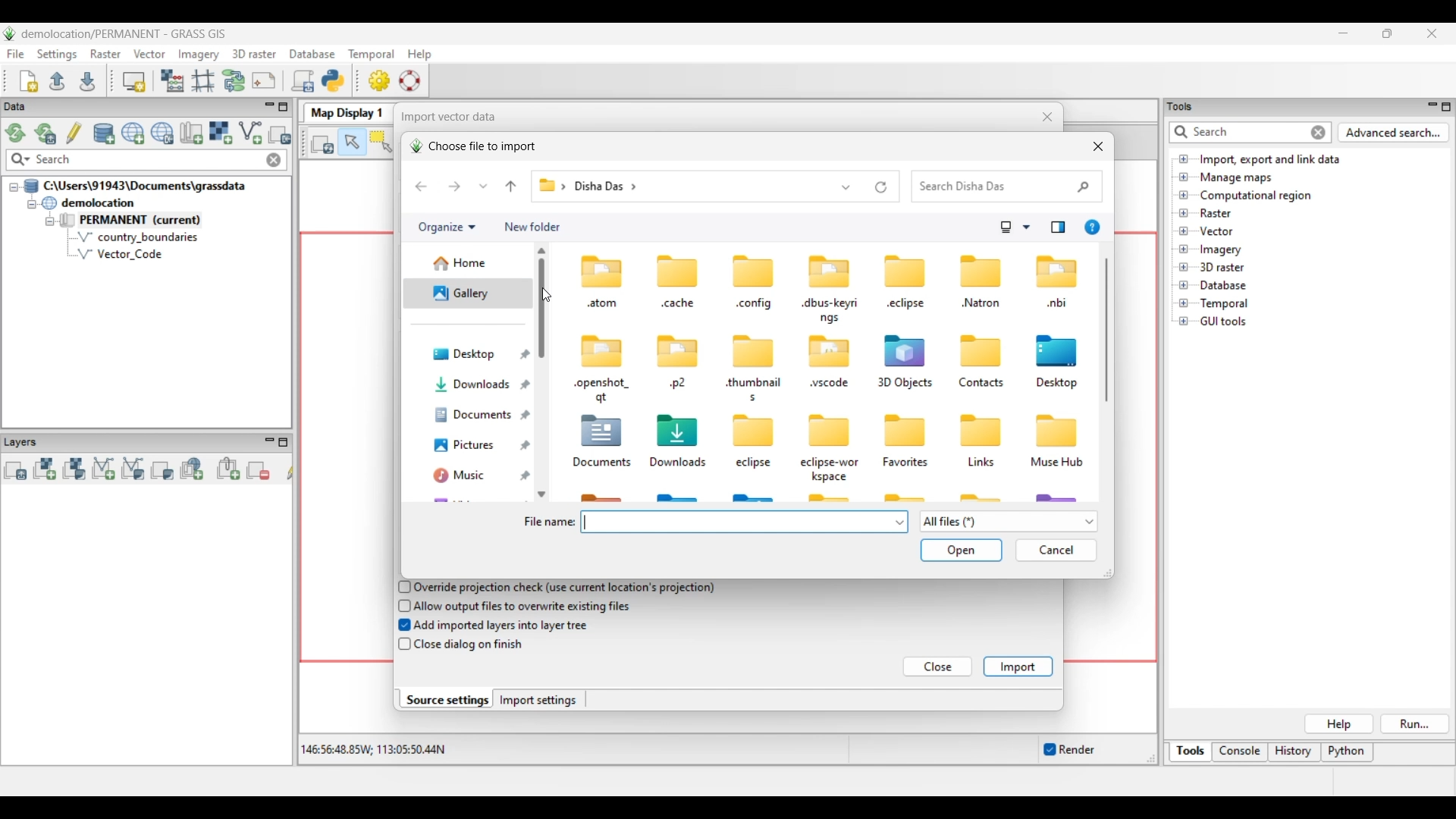  I want to click on tools, so click(1185, 105).